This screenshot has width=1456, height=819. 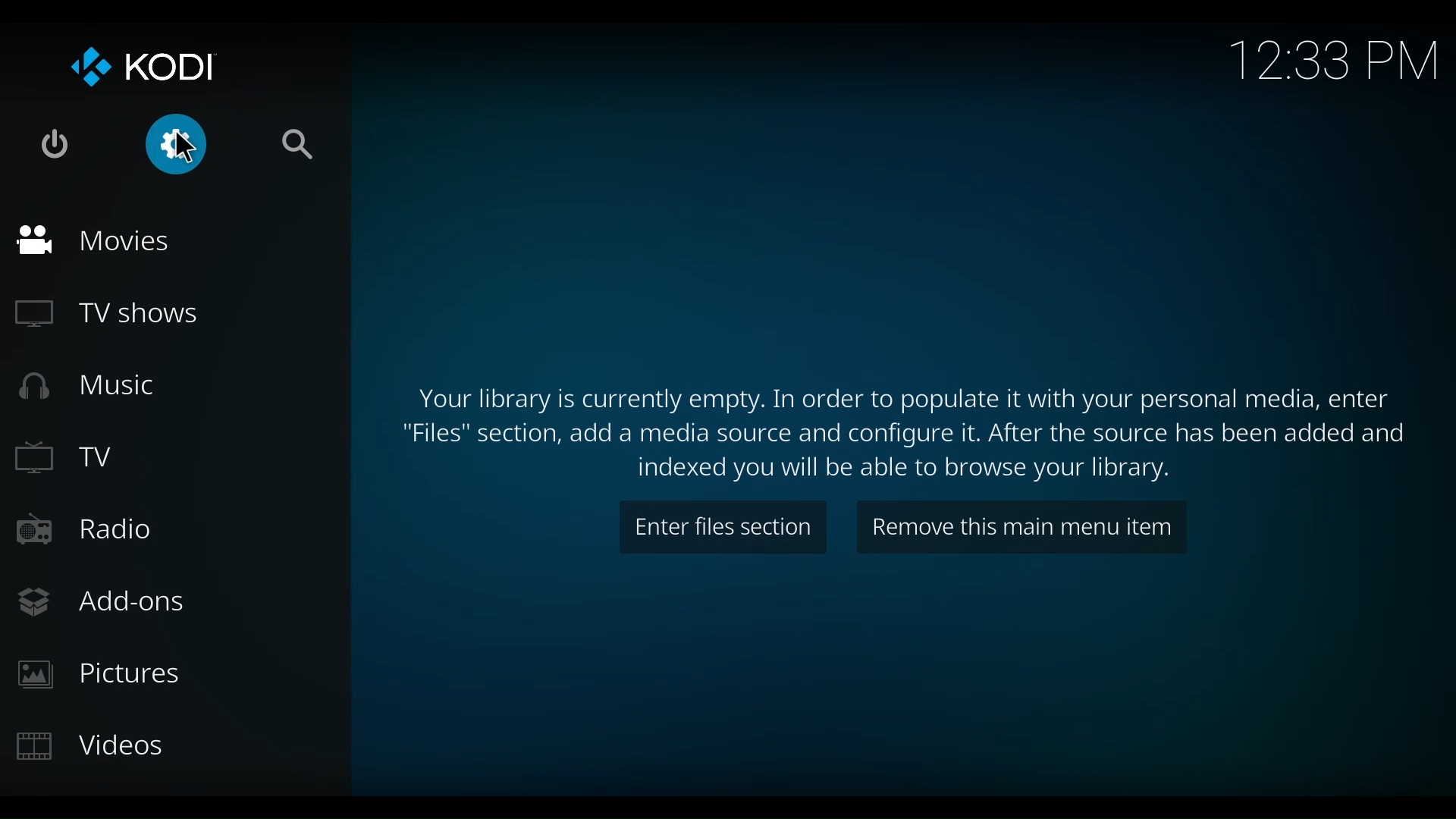 I want to click on Time, so click(x=1332, y=61).